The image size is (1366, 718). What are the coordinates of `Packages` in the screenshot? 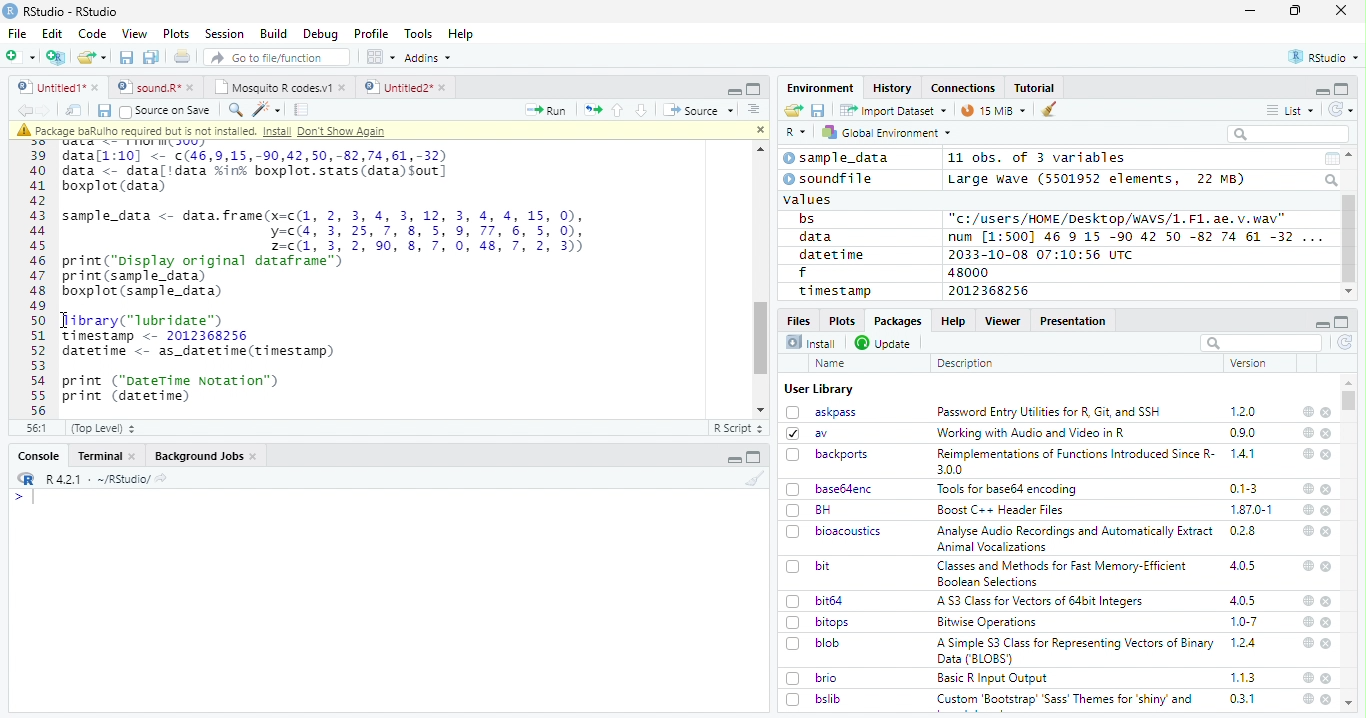 It's located at (896, 321).